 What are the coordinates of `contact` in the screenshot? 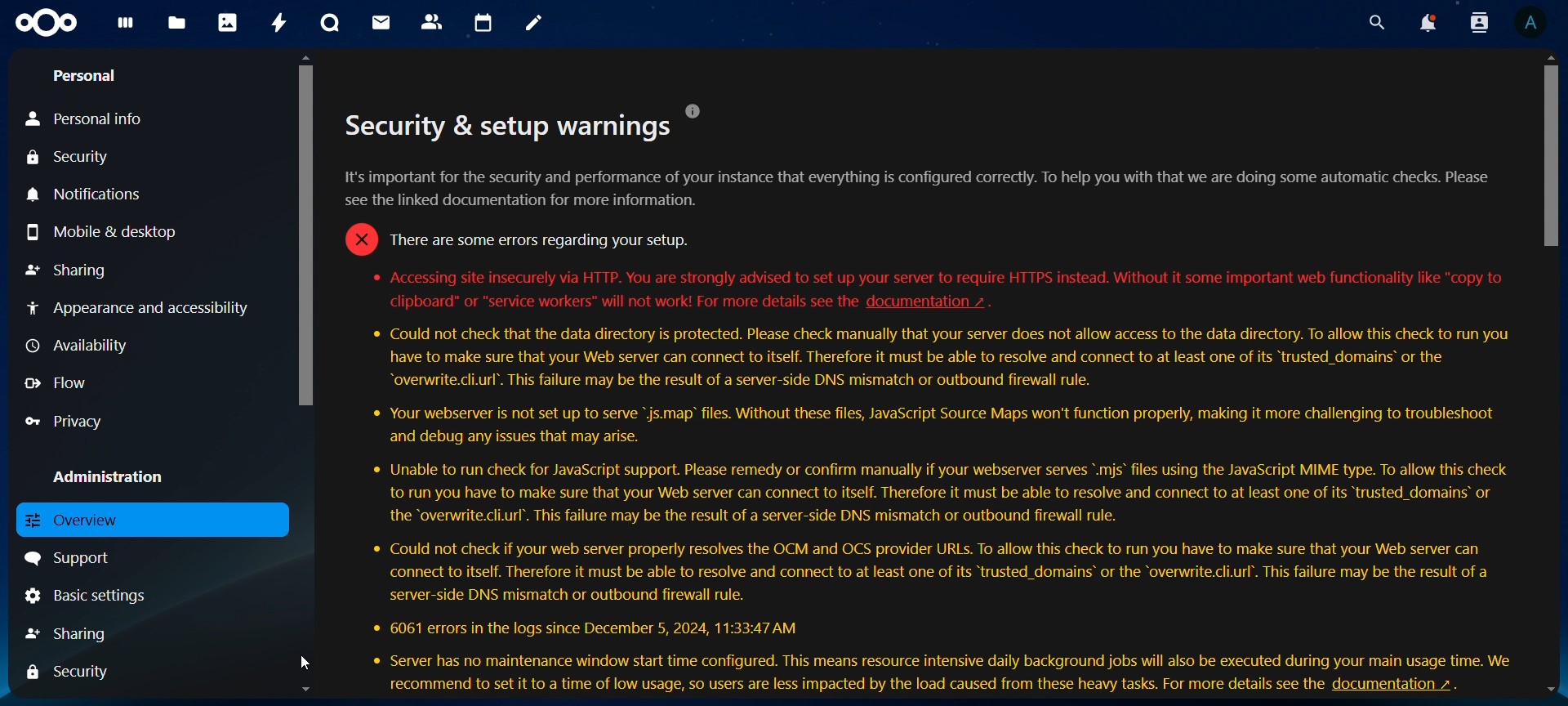 It's located at (435, 23).